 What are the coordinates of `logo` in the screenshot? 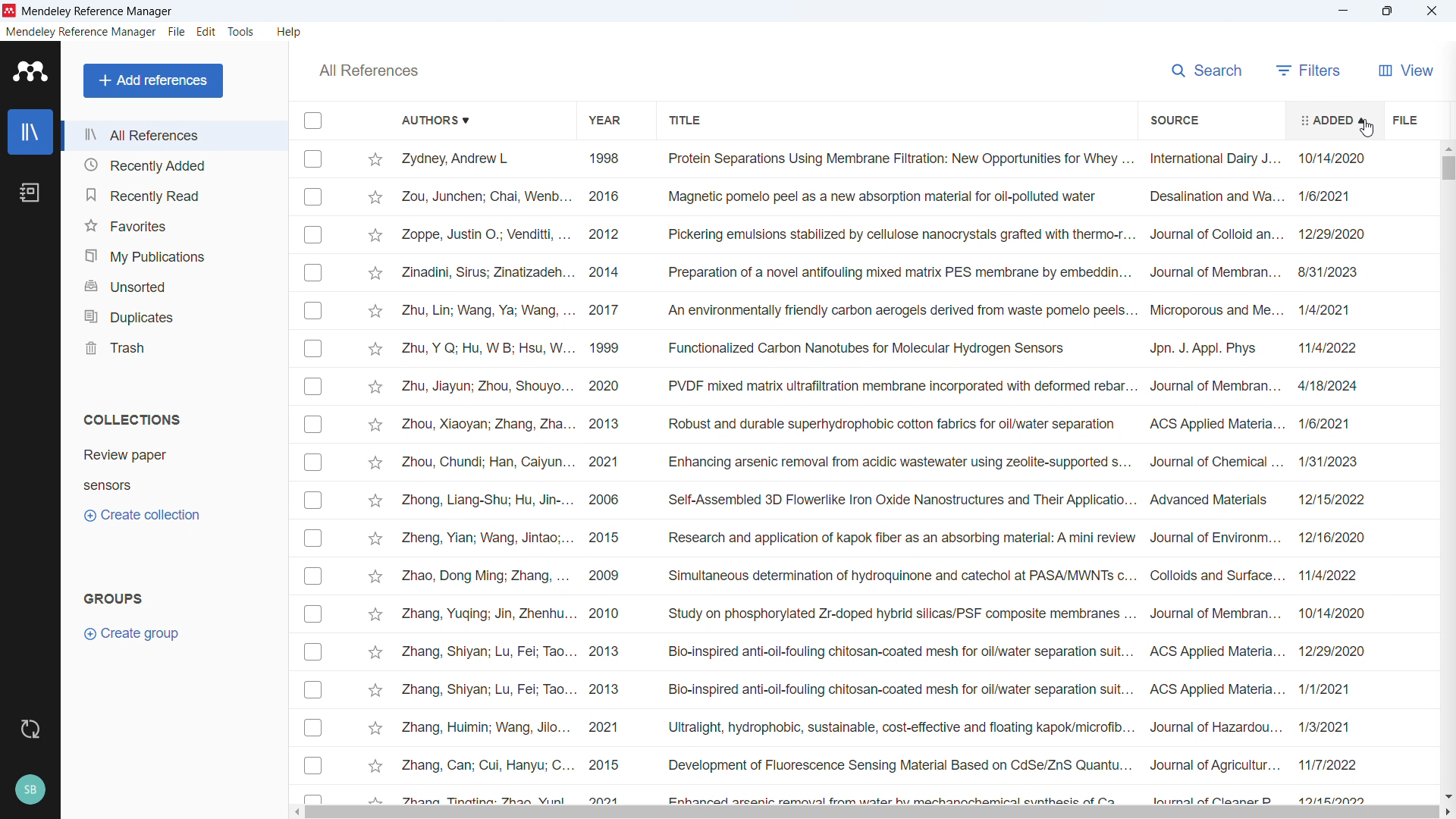 It's located at (30, 71).